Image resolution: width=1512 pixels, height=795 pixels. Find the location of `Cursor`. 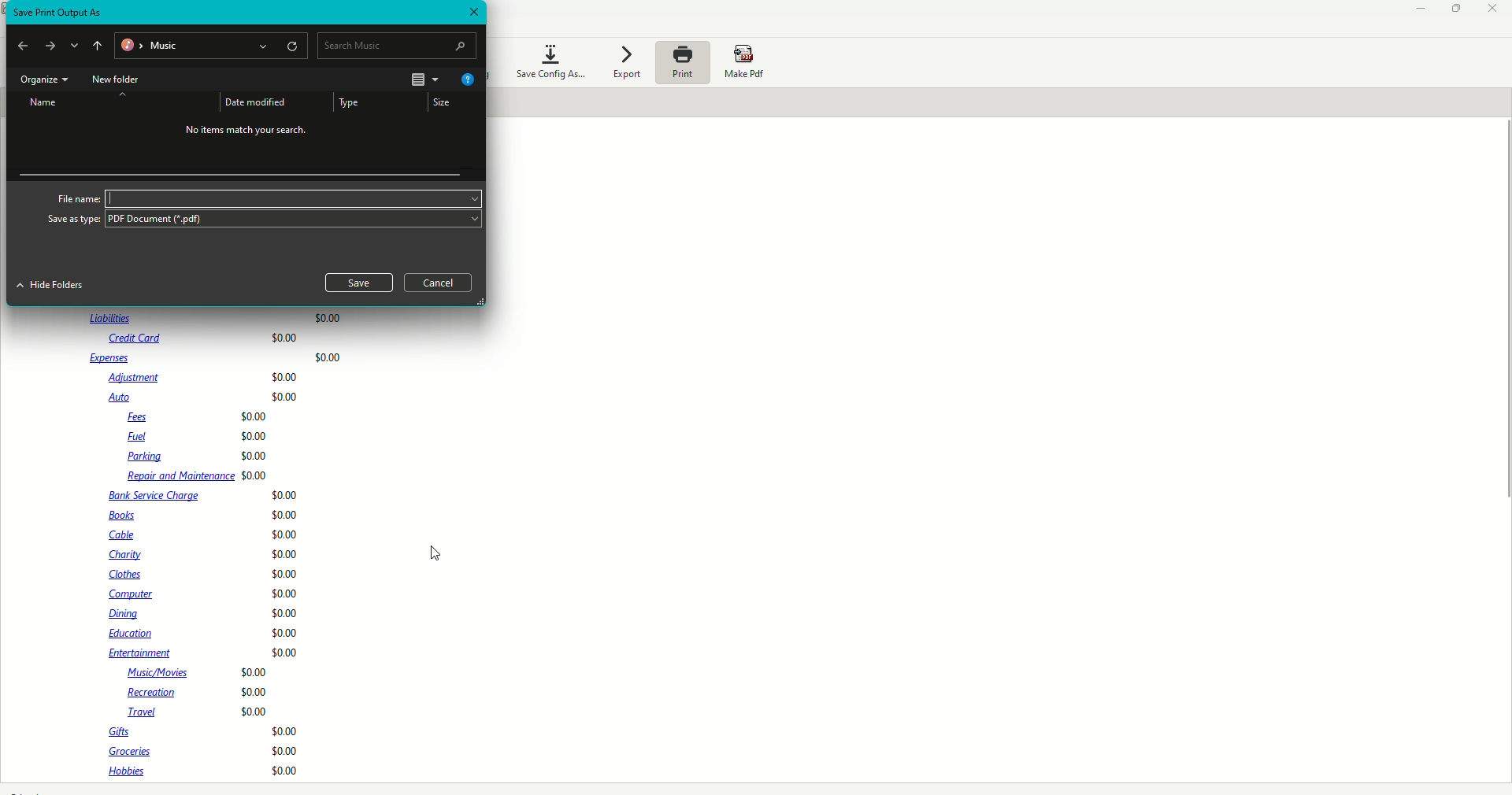

Cursor is located at coordinates (435, 553).